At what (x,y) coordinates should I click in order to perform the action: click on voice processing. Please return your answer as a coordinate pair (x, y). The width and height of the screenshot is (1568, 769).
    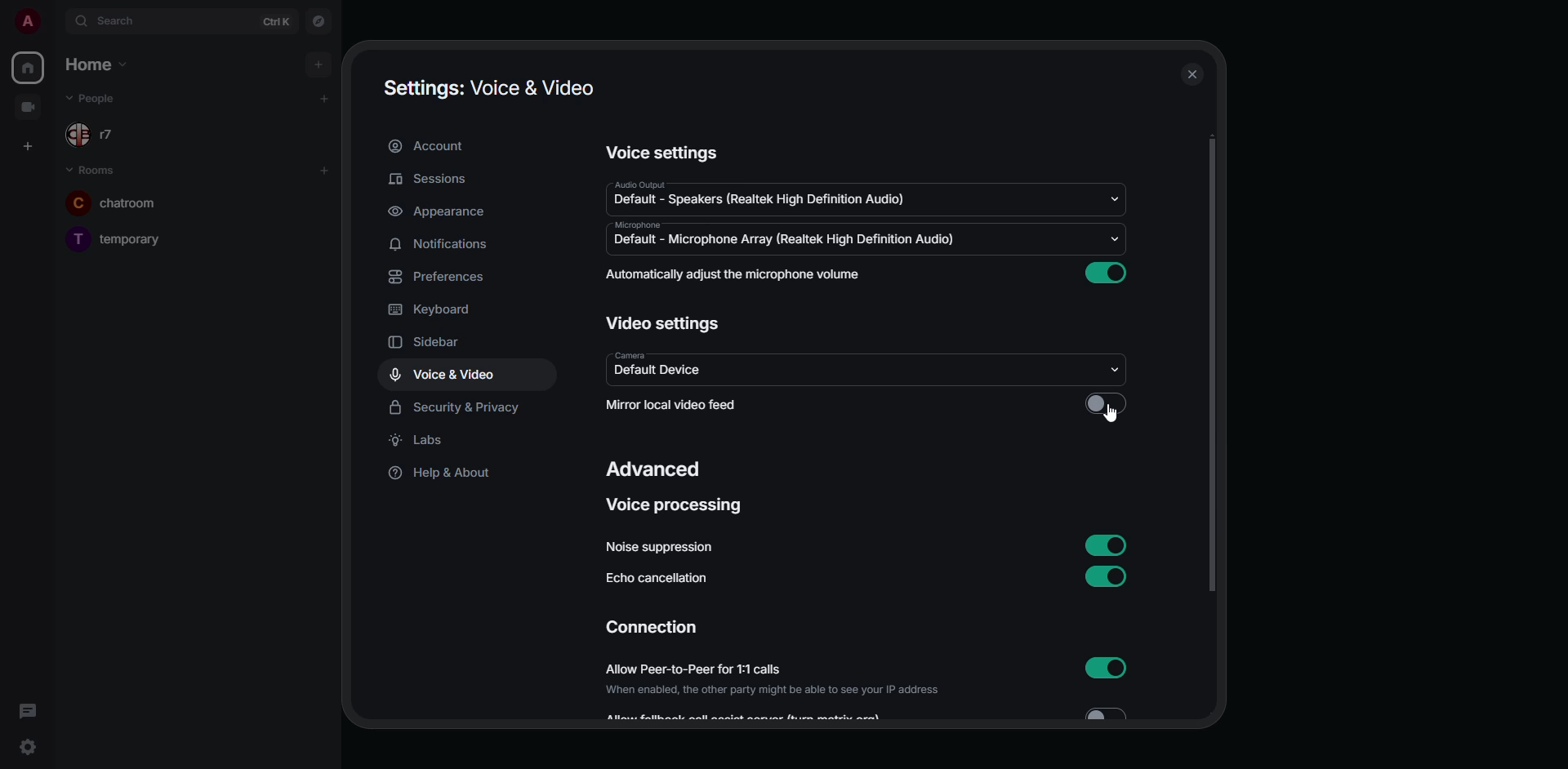
    Looking at the image, I should click on (676, 507).